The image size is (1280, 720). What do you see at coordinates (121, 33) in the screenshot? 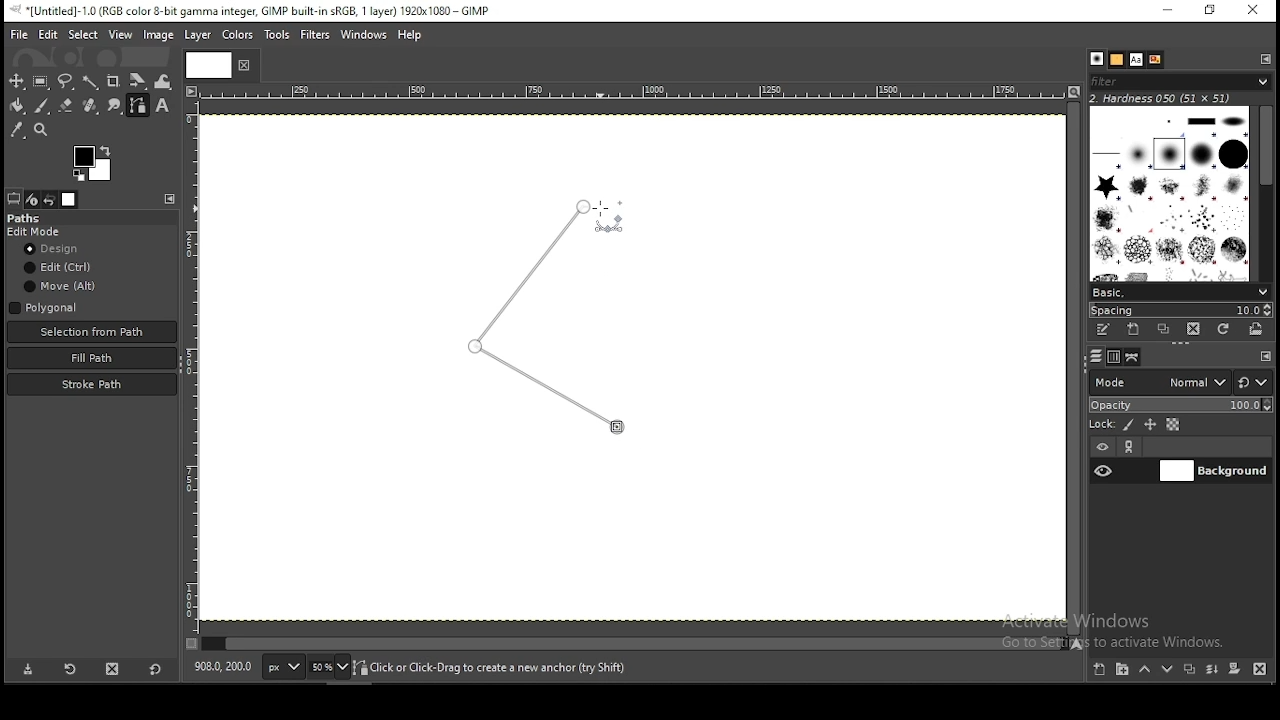
I see `view` at bounding box center [121, 33].